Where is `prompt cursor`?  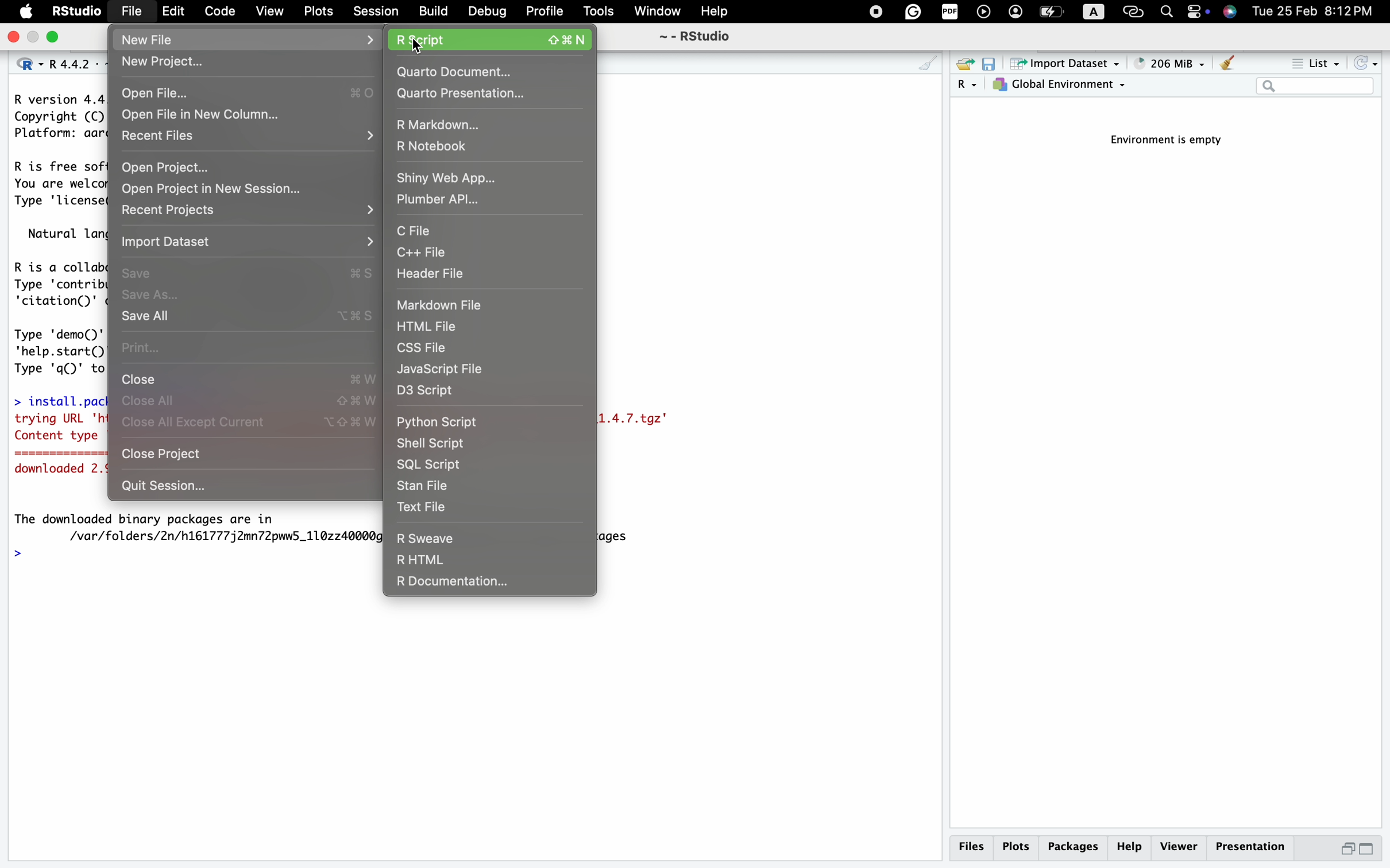 prompt cursor is located at coordinates (17, 555).